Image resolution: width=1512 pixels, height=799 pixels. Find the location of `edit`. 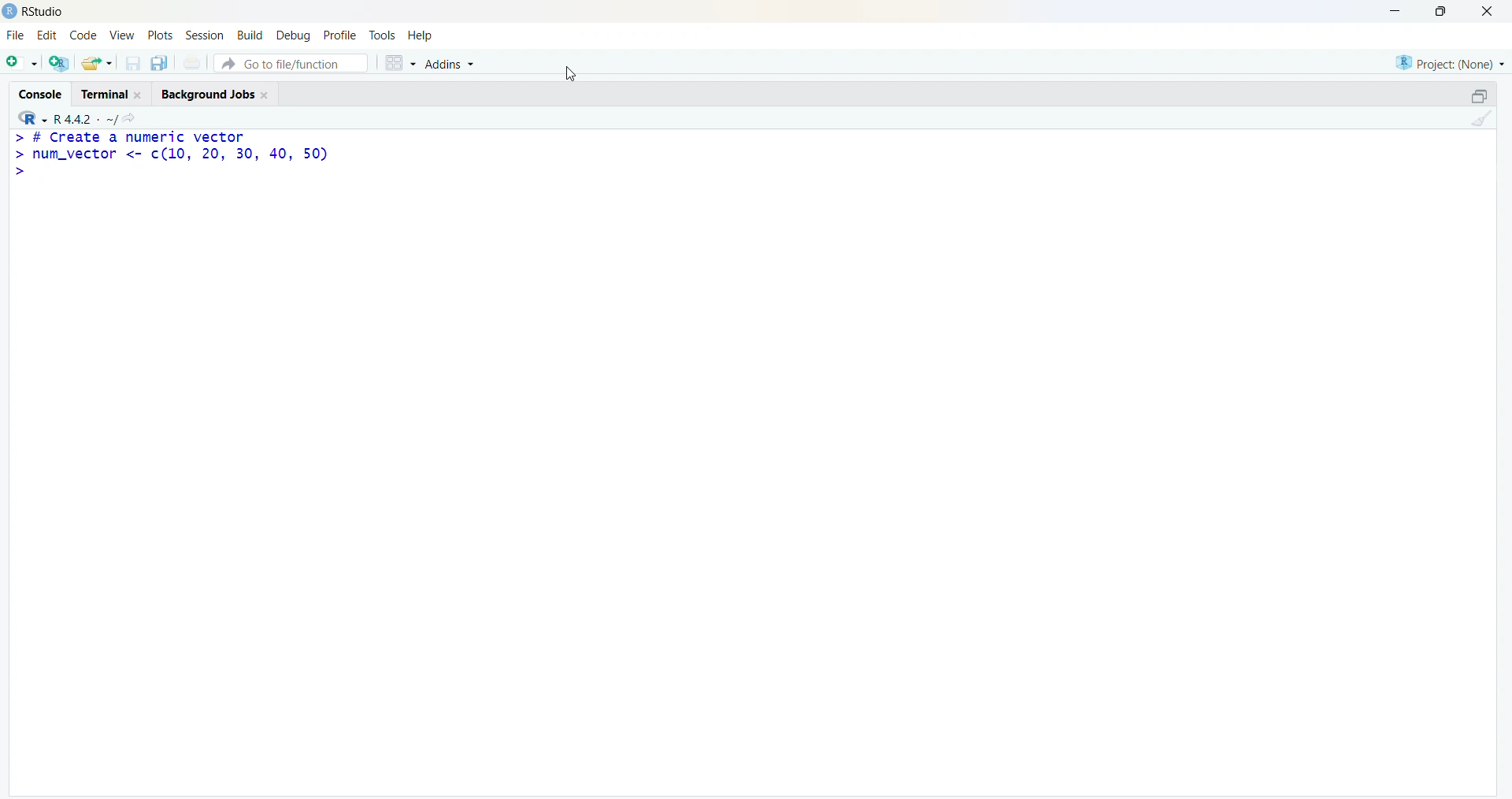

edit is located at coordinates (47, 35).